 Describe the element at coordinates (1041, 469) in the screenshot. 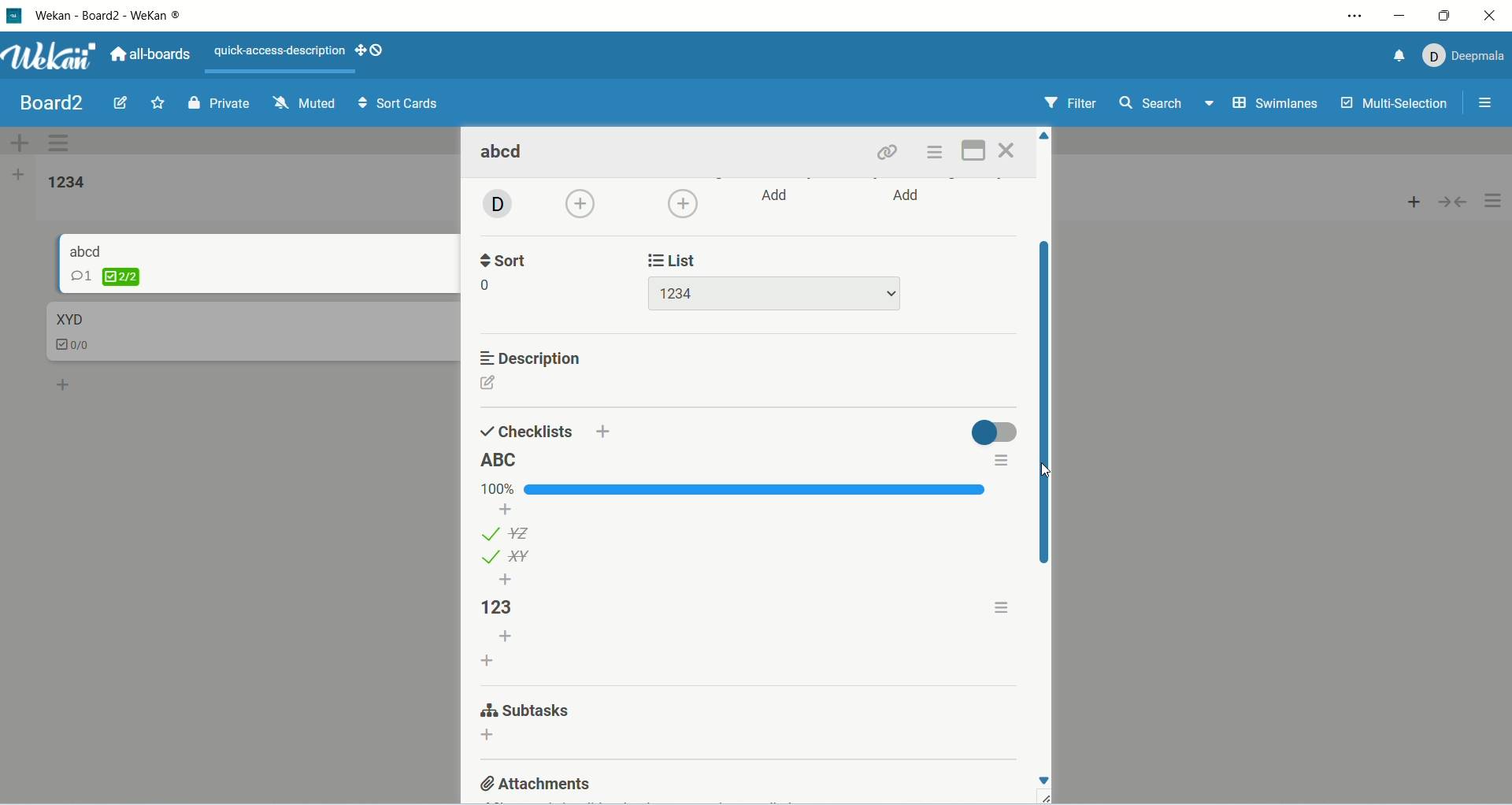

I see `cursor` at that location.